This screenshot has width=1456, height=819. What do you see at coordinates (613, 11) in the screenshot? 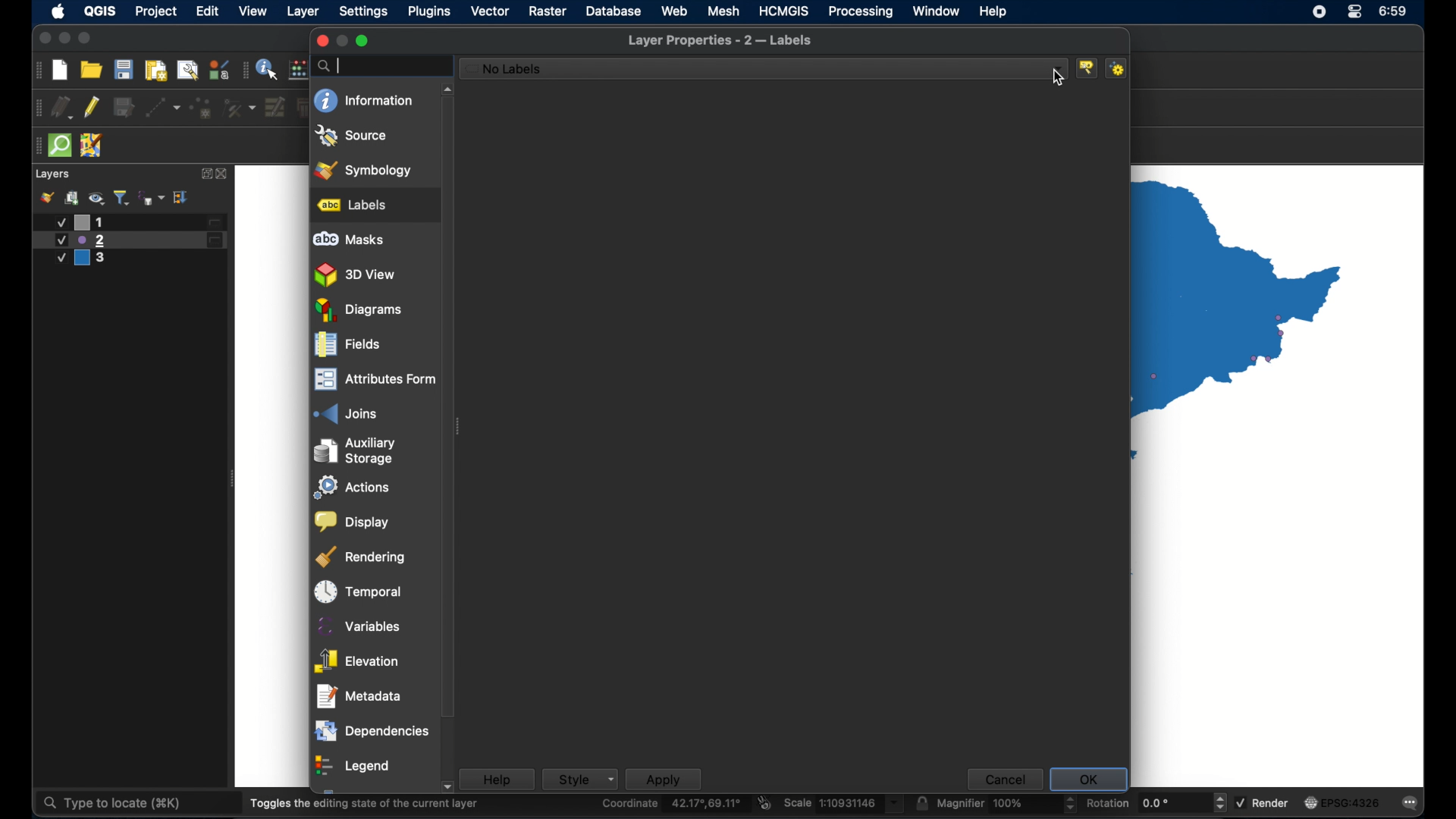
I see `database` at bounding box center [613, 11].